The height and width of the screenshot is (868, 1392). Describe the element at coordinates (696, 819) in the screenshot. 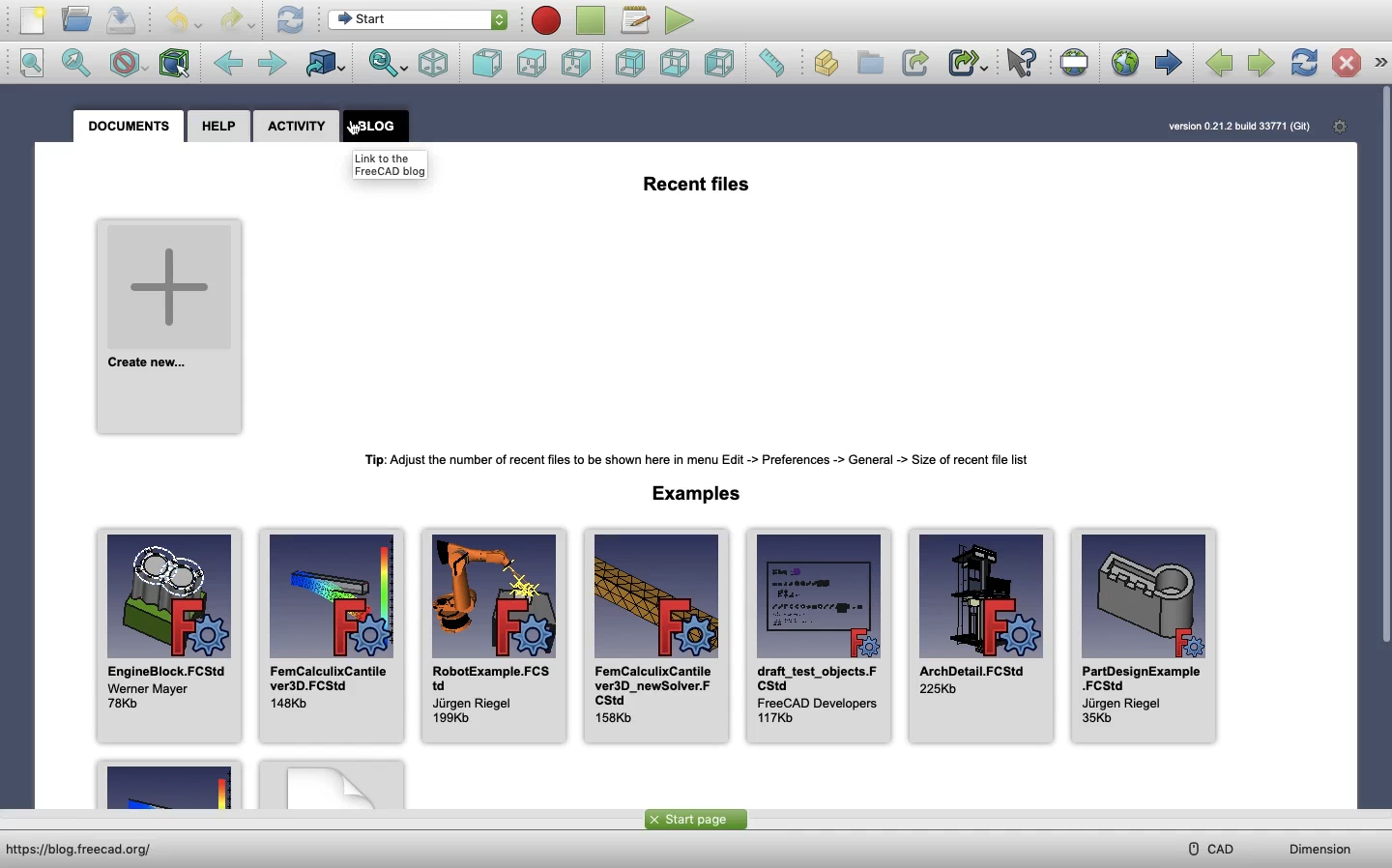

I see `Start Page` at that location.